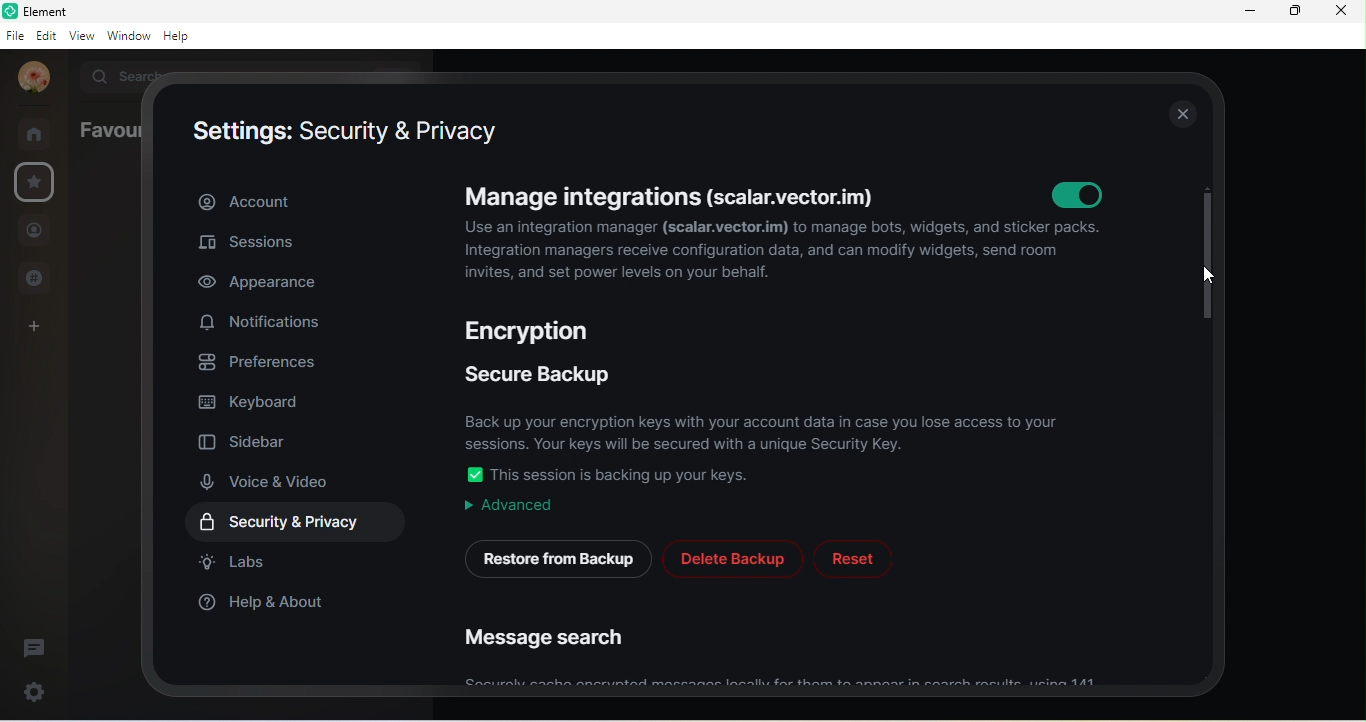 Image resolution: width=1366 pixels, height=722 pixels. What do you see at coordinates (551, 641) in the screenshot?
I see `message search` at bounding box center [551, 641].